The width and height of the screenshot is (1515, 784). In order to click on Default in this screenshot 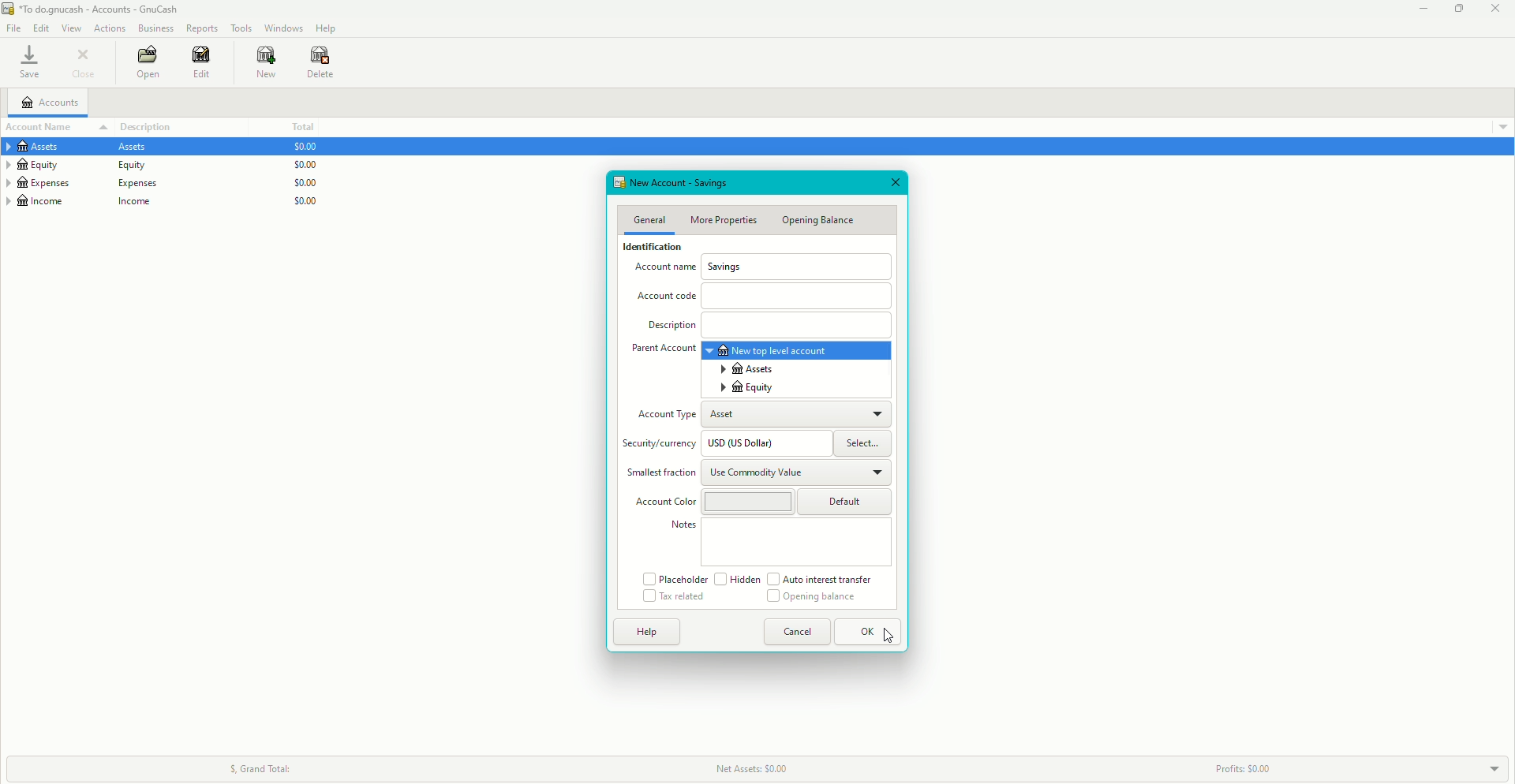, I will do `click(847, 501)`.